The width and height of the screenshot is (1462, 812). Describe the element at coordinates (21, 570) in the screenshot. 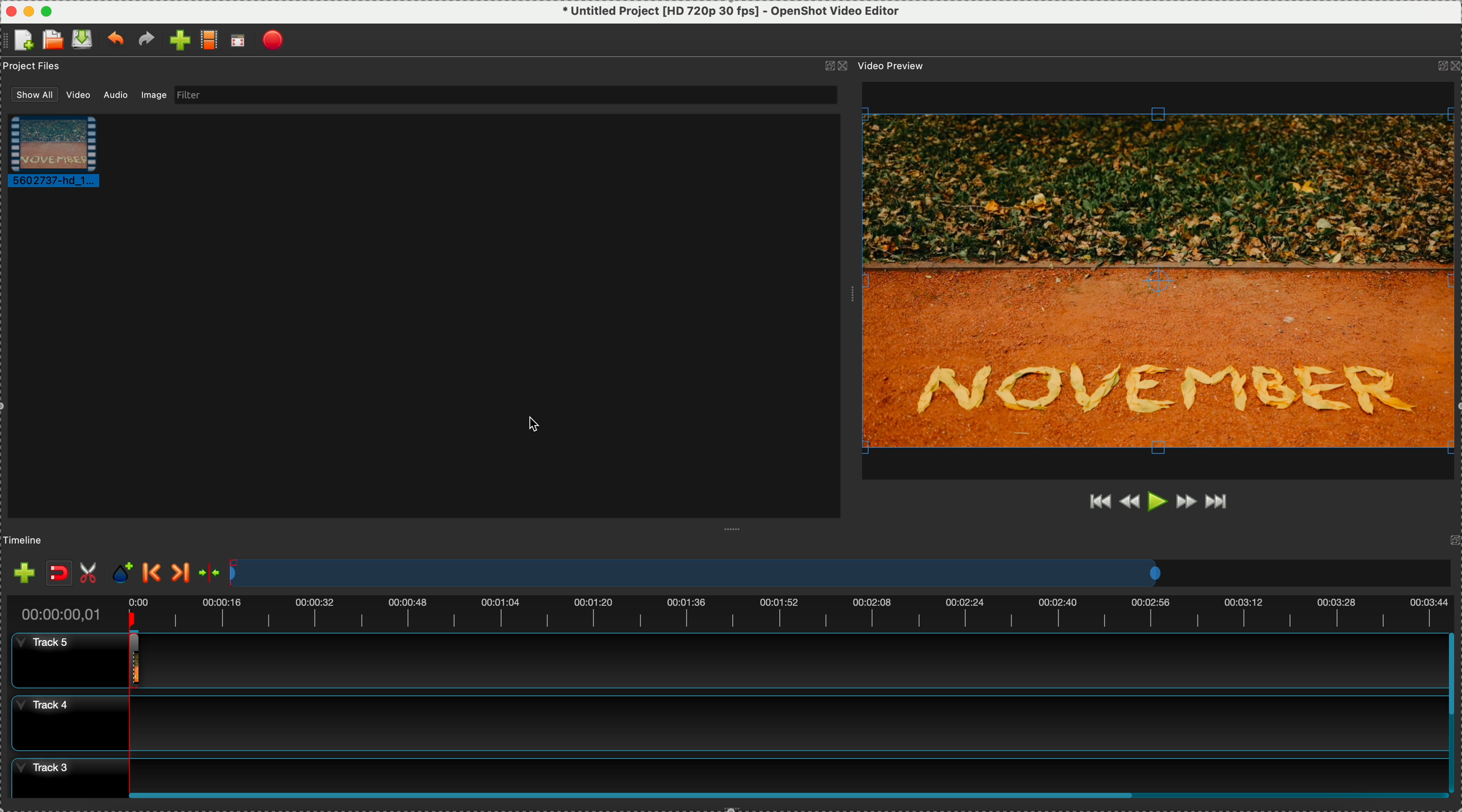

I see `import files` at that location.